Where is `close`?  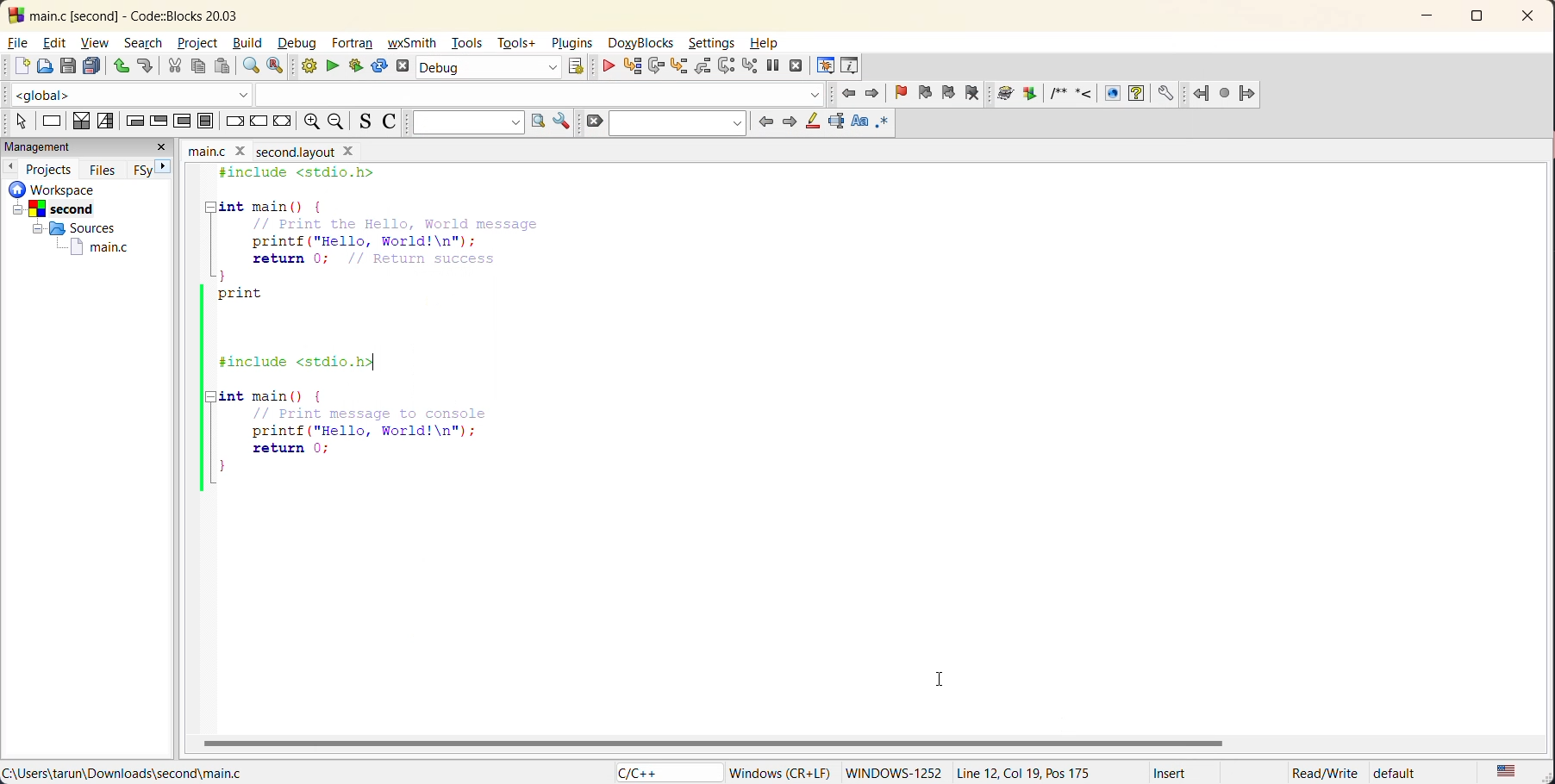 close is located at coordinates (161, 149).